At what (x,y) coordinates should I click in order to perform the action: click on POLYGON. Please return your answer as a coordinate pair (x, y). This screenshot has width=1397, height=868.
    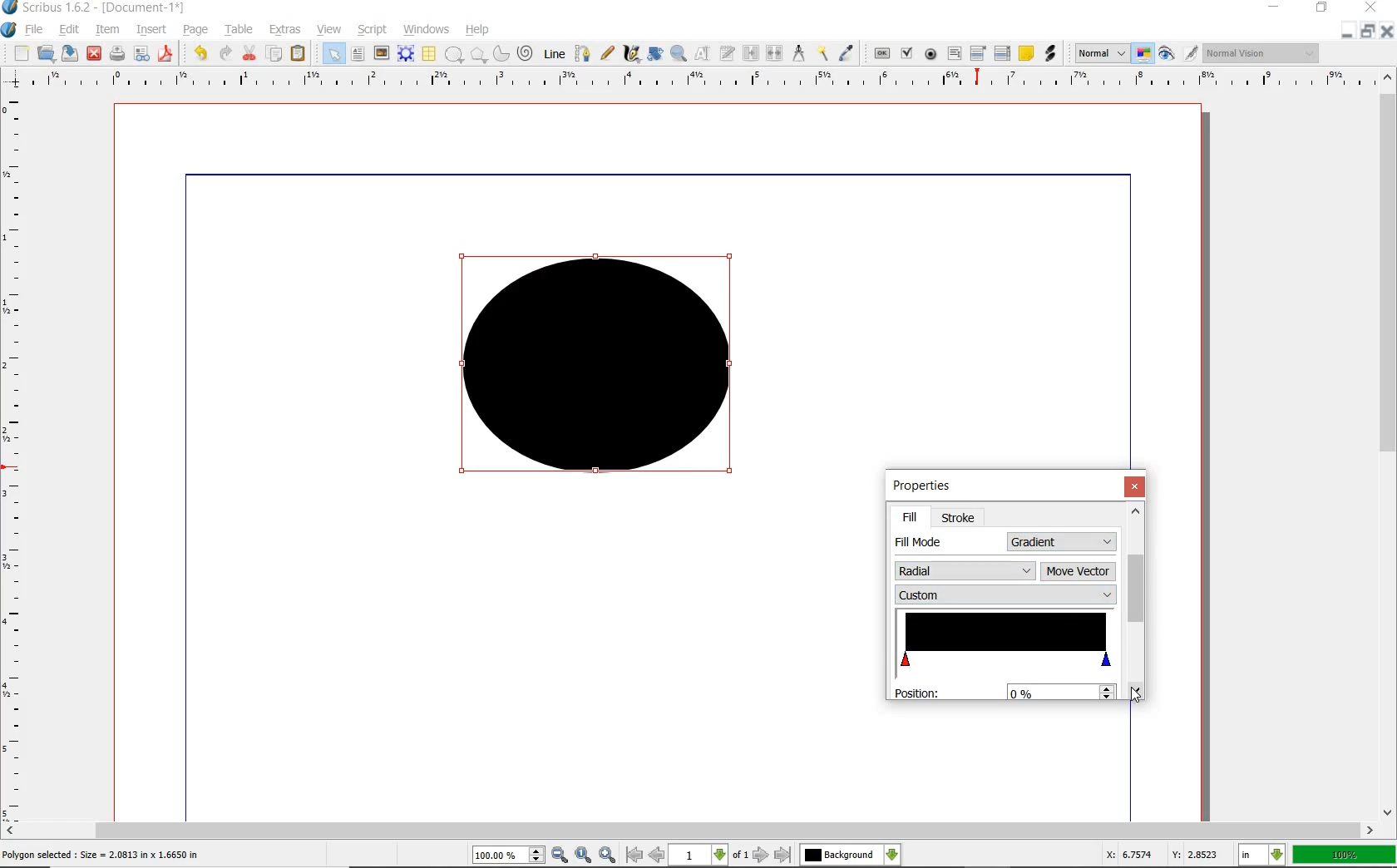
    Looking at the image, I should click on (478, 55).